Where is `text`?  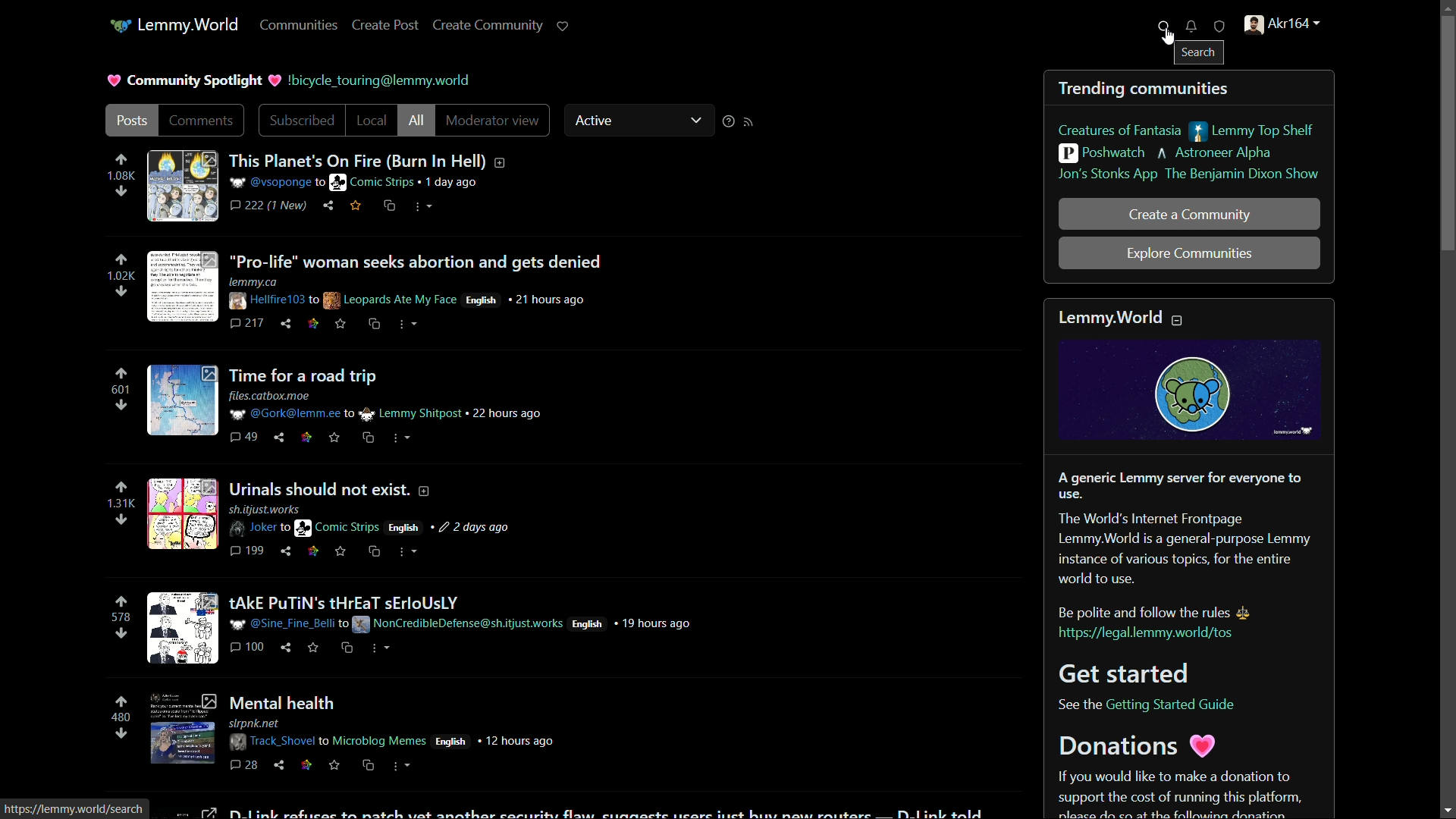 text is located at coordinates (383, 80).